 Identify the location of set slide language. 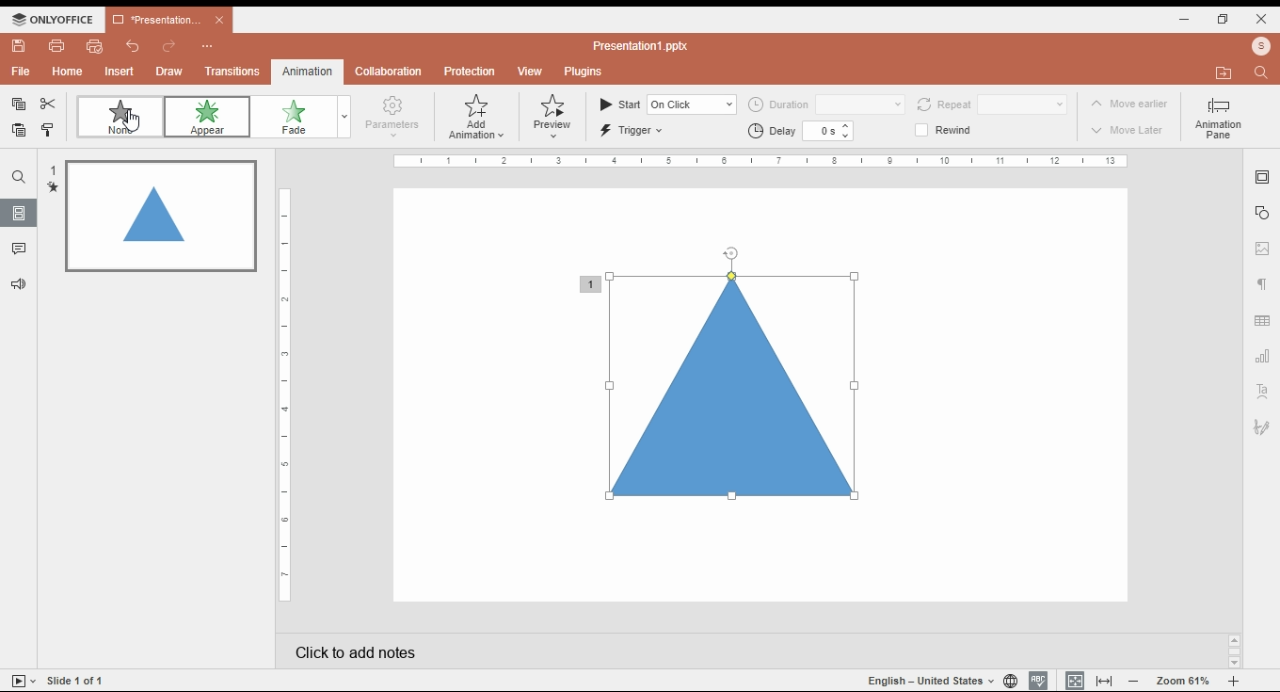
(1007, 679).